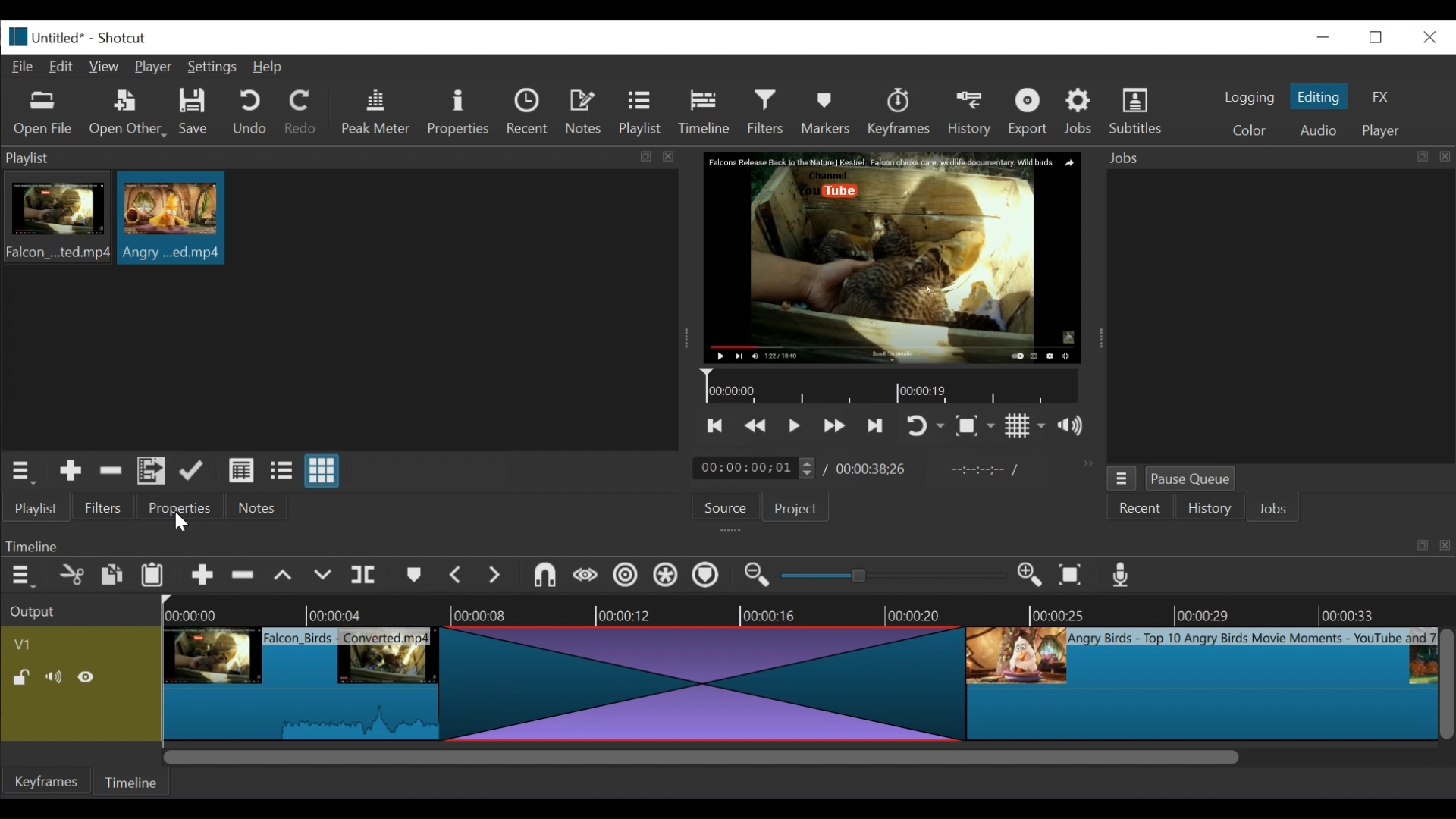 The width and height of the screenshot is (1456, 819). I want to click on markers, so click(413, 579).